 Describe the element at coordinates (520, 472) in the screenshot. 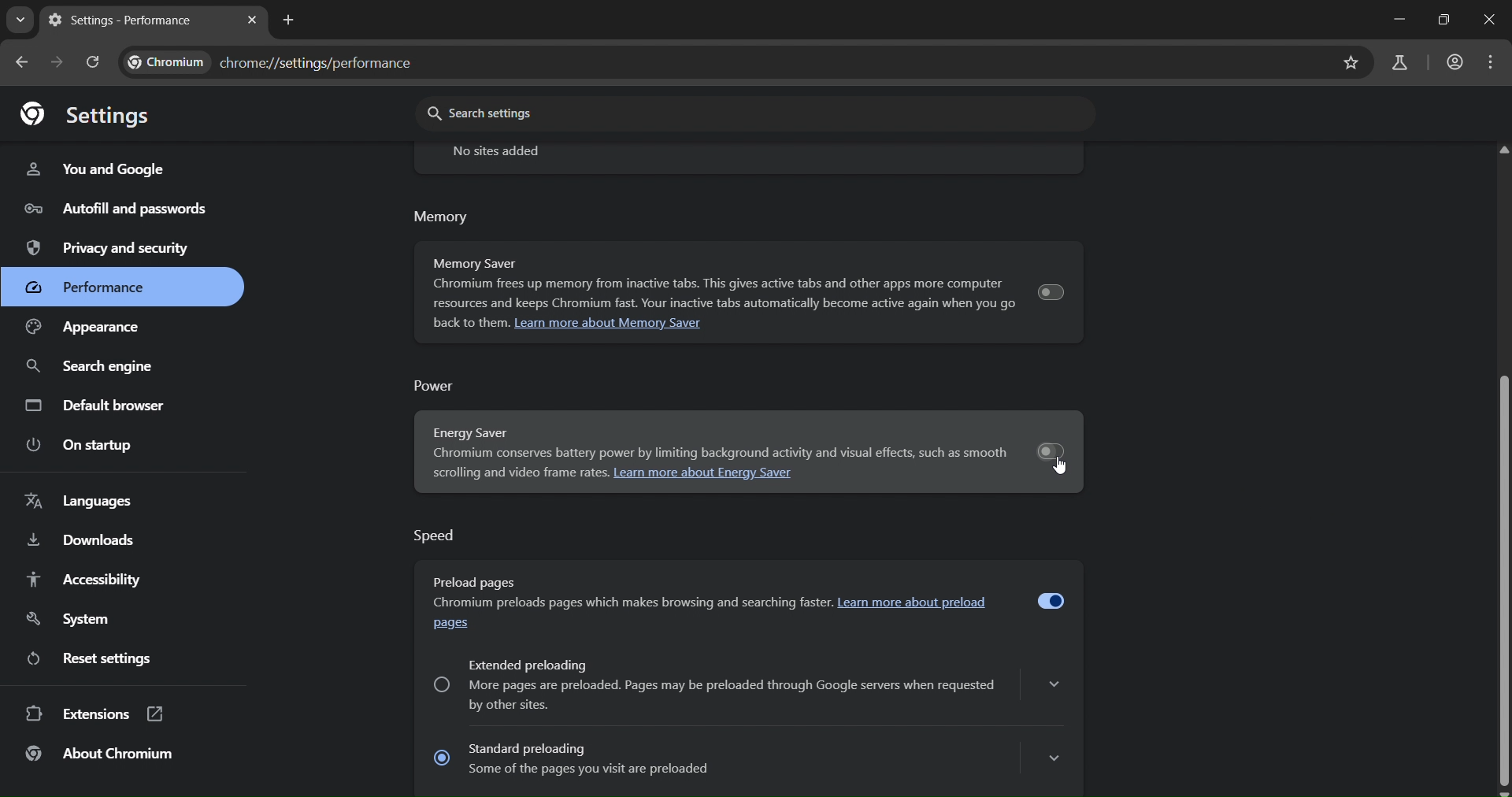

I see `scrolling and video frame rates` at that location.